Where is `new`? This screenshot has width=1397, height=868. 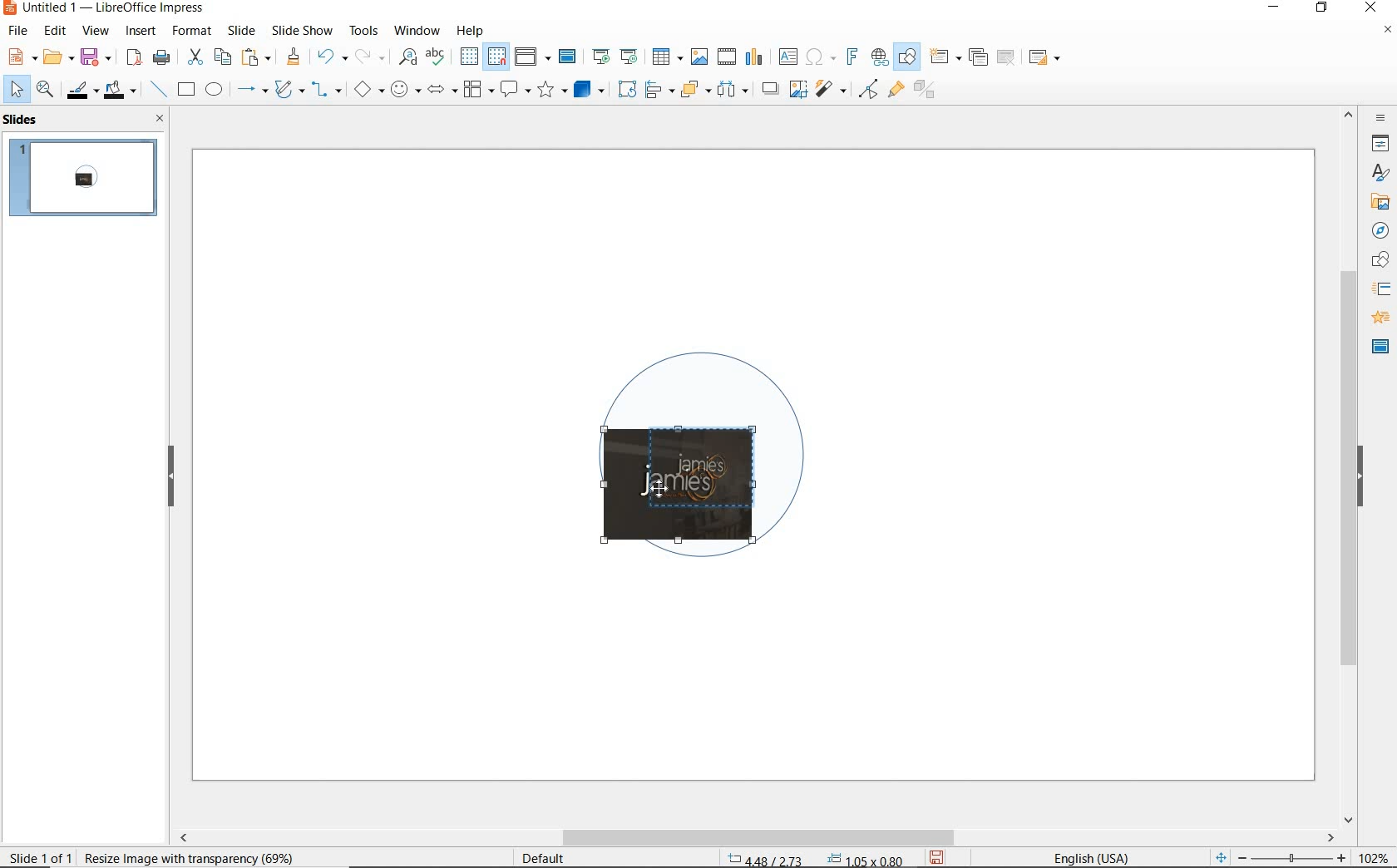
new is located at coordinates (20, 56).